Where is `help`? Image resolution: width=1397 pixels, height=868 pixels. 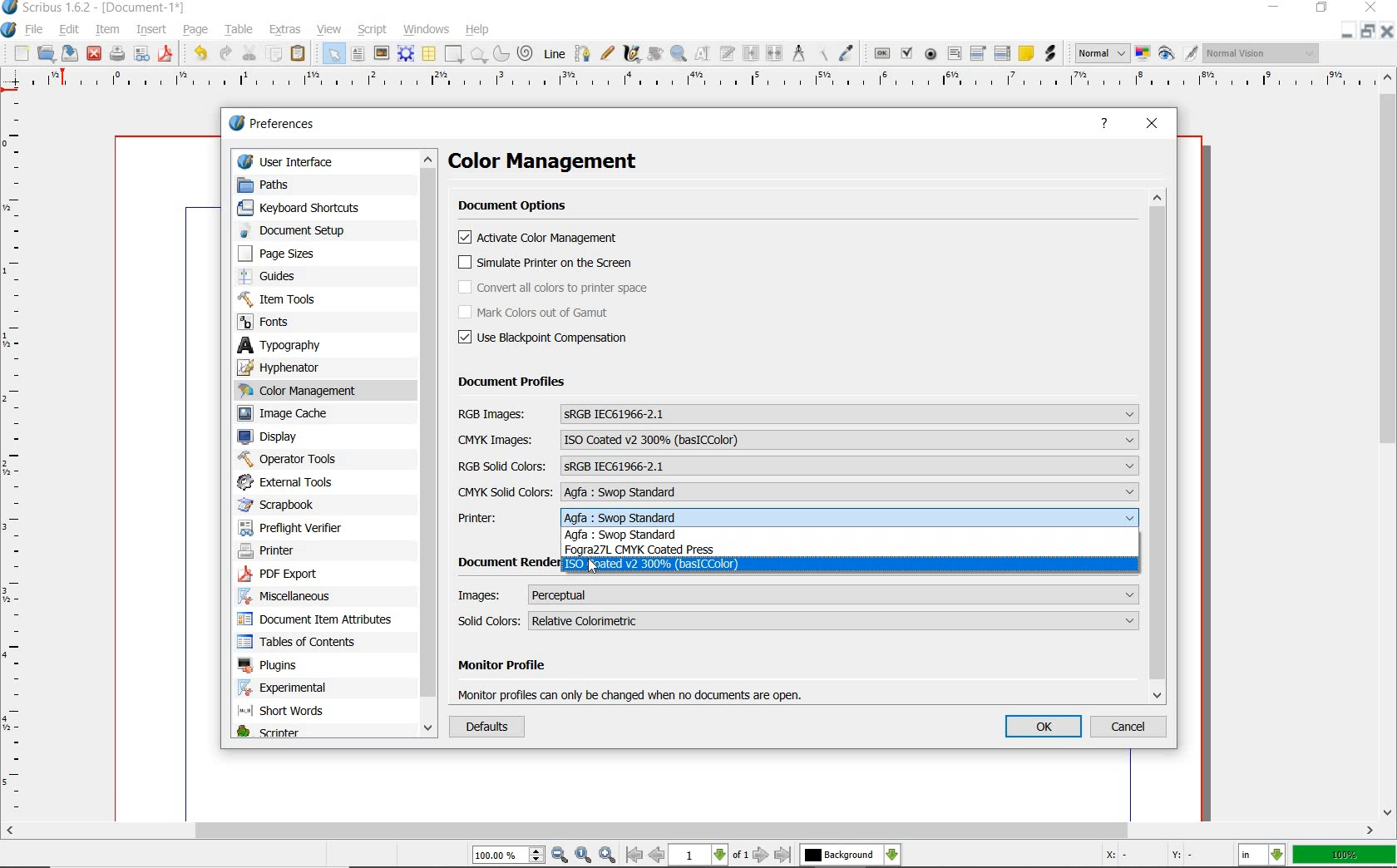
help is located at coordinates (479, 29).